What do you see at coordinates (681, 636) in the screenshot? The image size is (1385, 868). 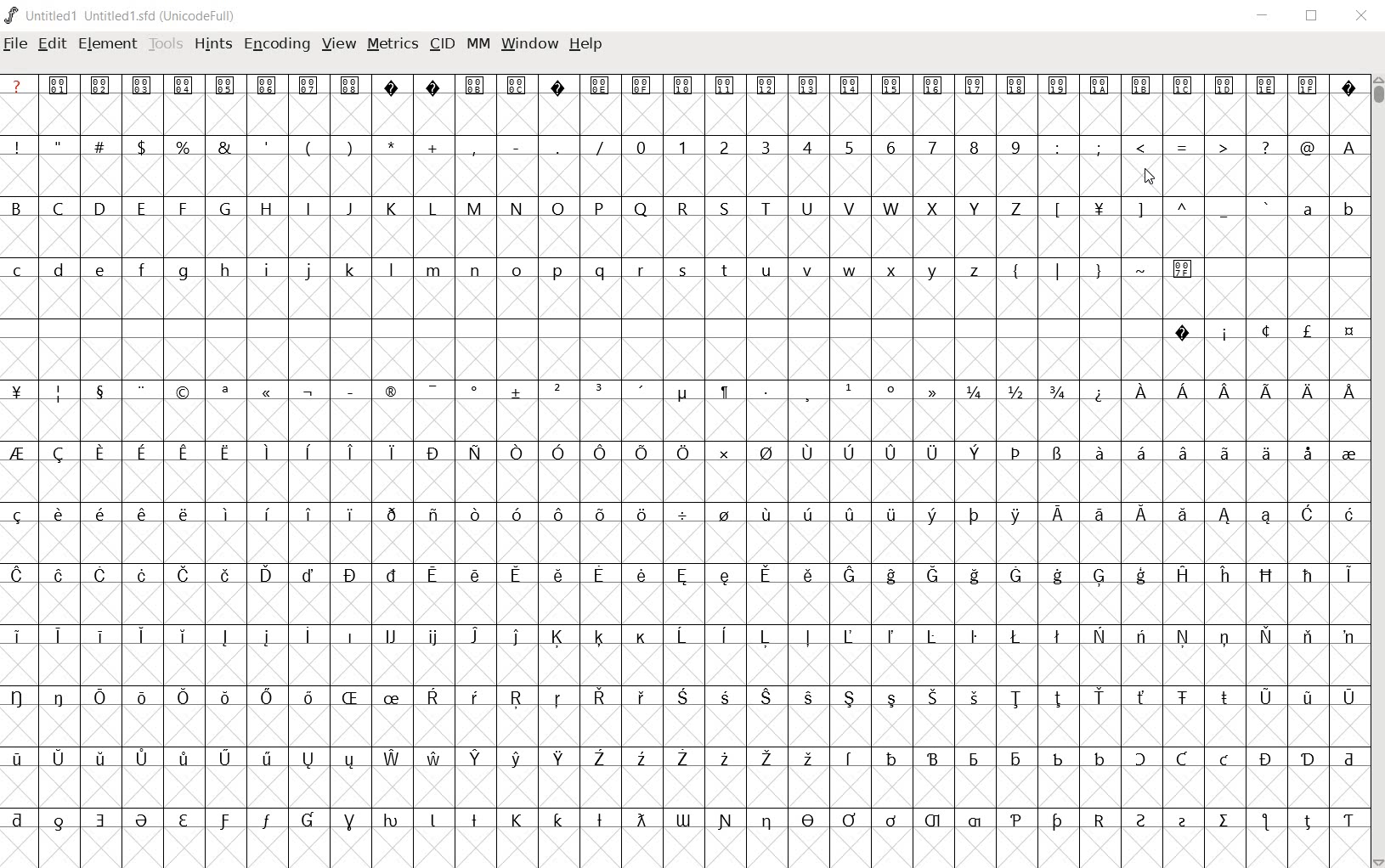 I see `special letters` at bounding box center [681, 636].